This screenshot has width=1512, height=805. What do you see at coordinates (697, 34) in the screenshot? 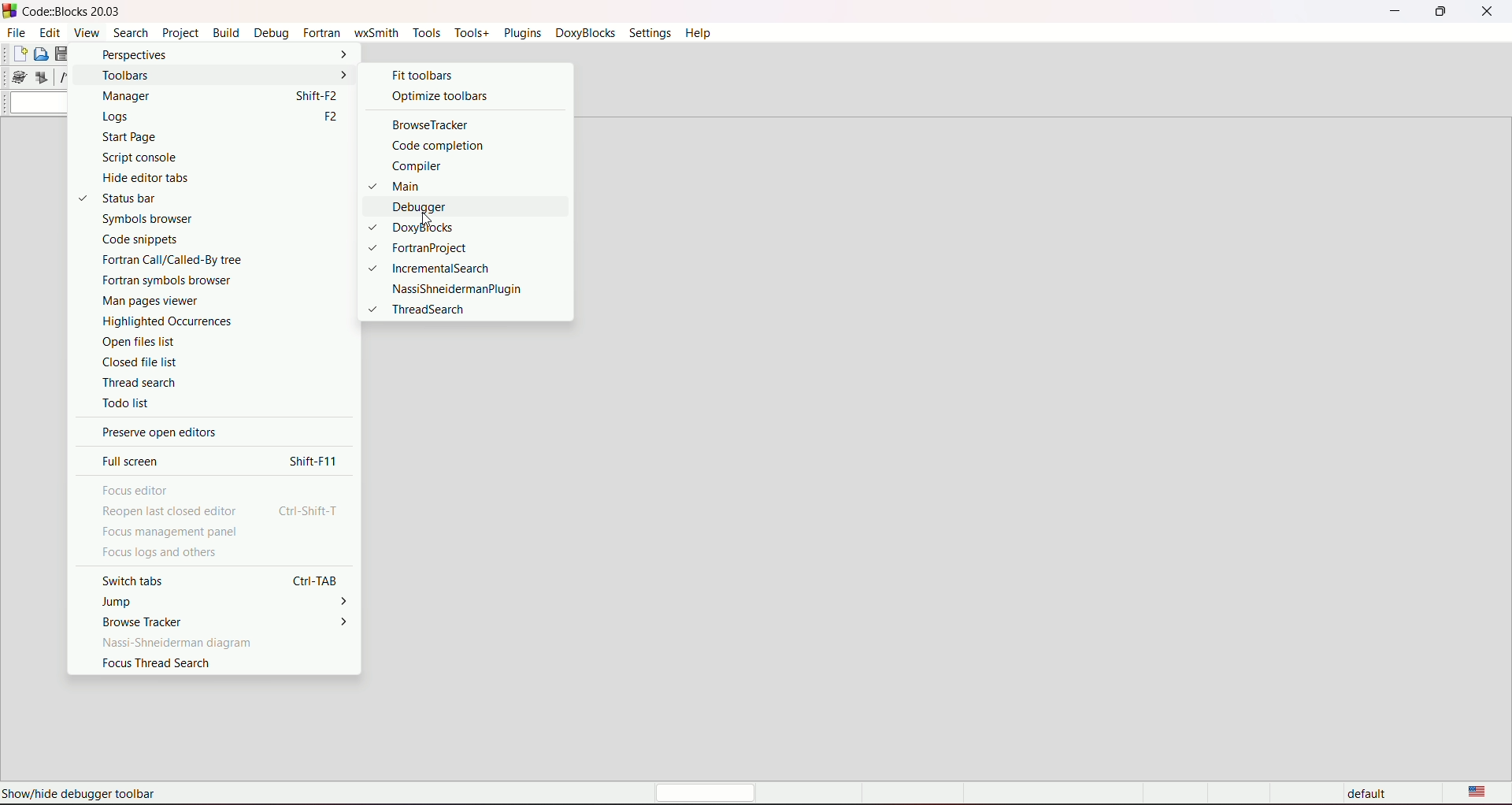
I see `help` at bounding box center [697, 34].